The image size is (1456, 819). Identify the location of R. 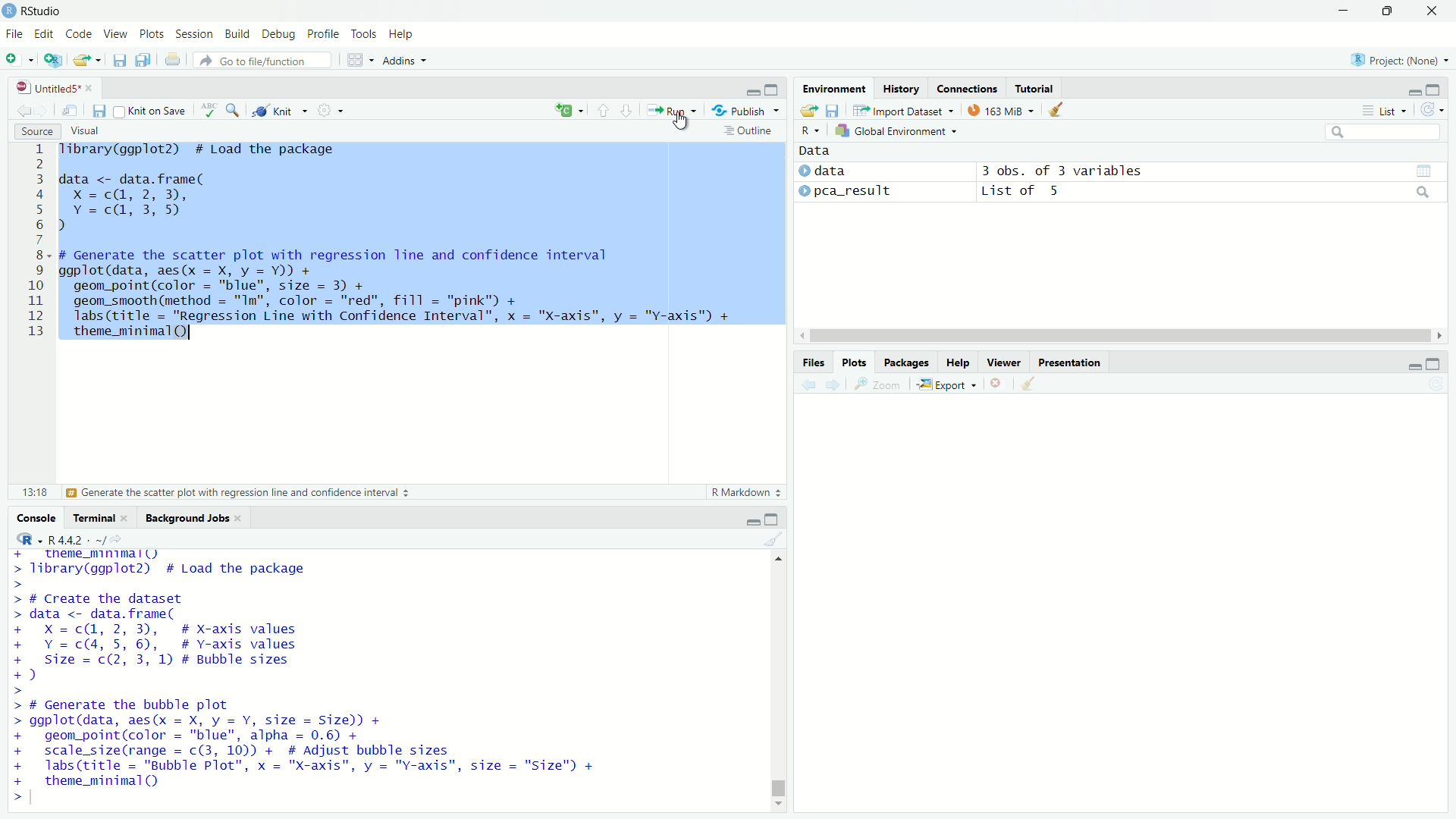
(811, 130).